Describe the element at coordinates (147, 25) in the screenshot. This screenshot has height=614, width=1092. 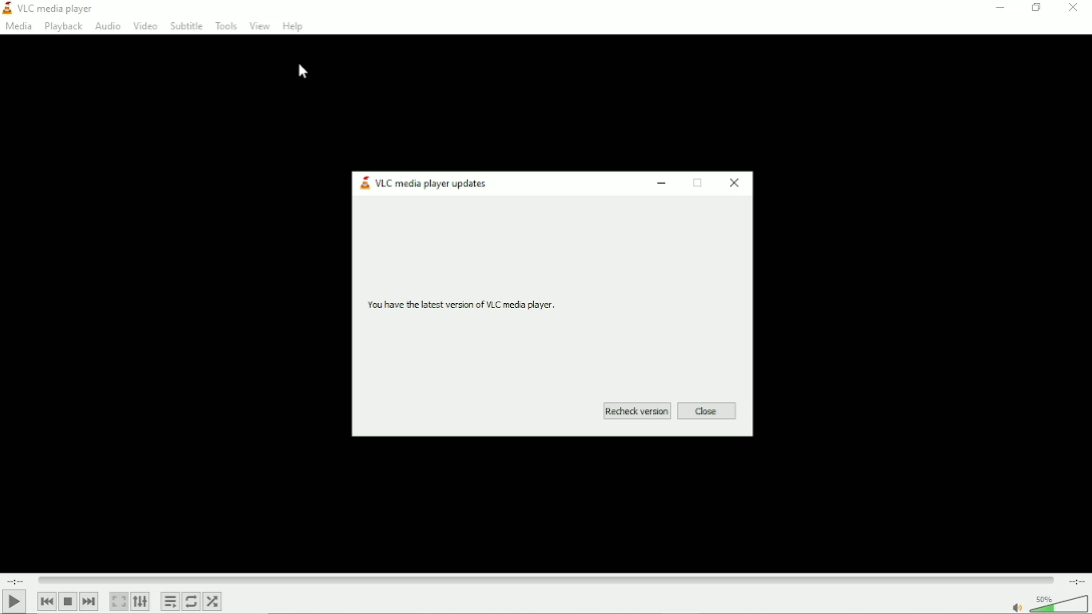
I see `Video` at that location.